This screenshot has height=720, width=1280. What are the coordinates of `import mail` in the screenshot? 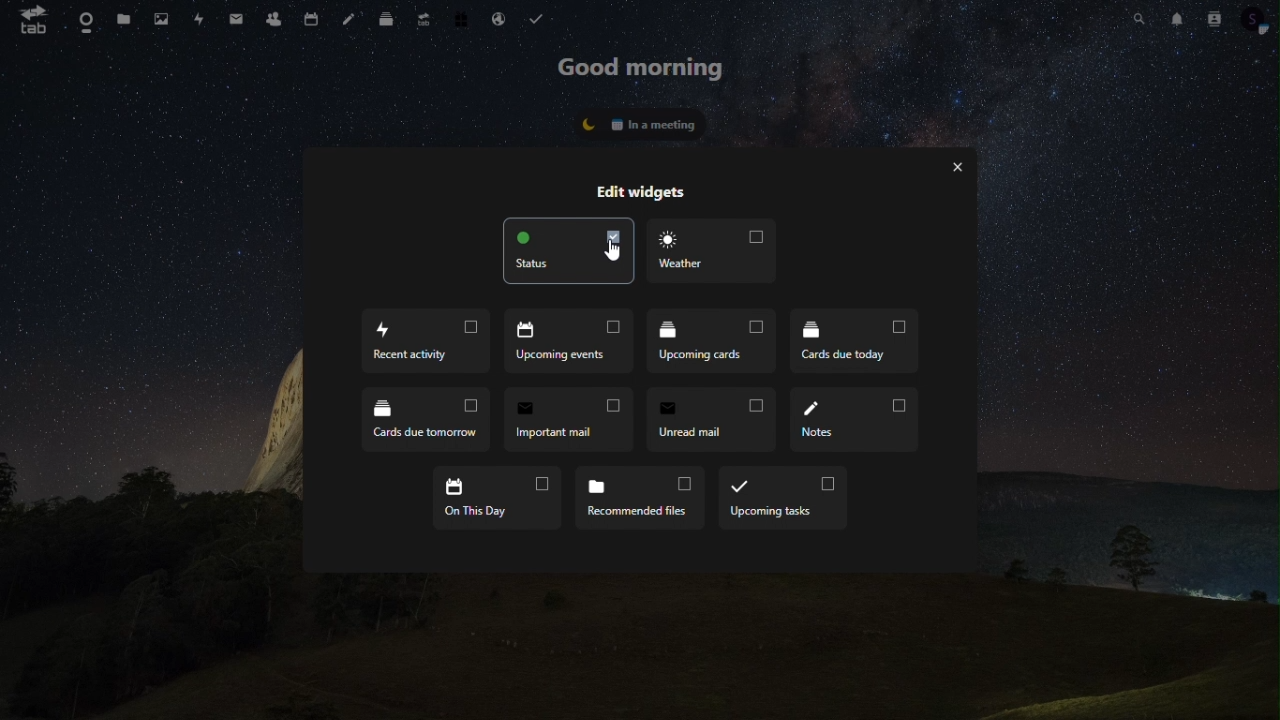 It's located at (574, 422).